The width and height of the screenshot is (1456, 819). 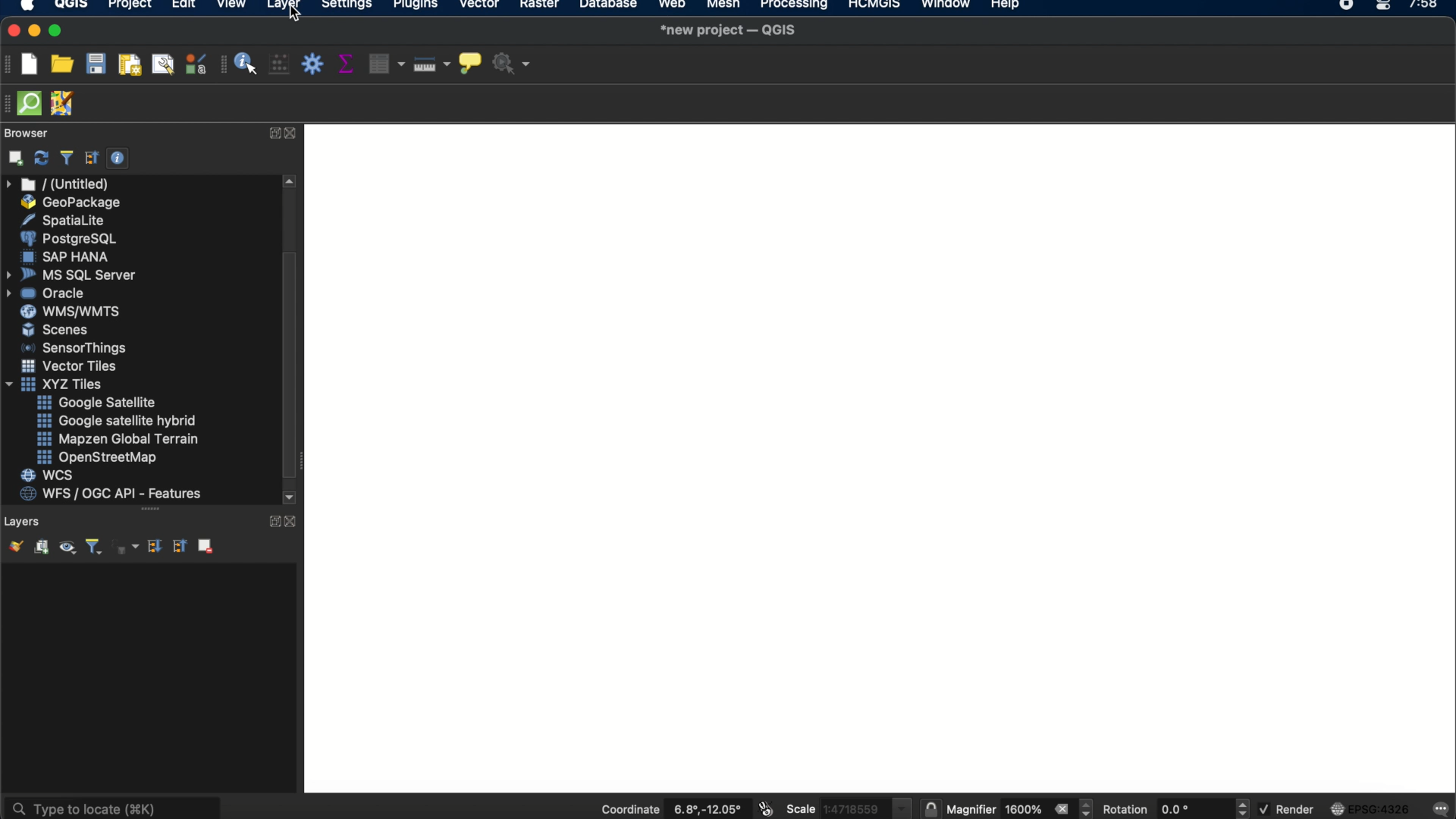 What do you see at coordinates (384, 63) in the screenshot?
I see `attribute table` at bounding box center [384, 63].